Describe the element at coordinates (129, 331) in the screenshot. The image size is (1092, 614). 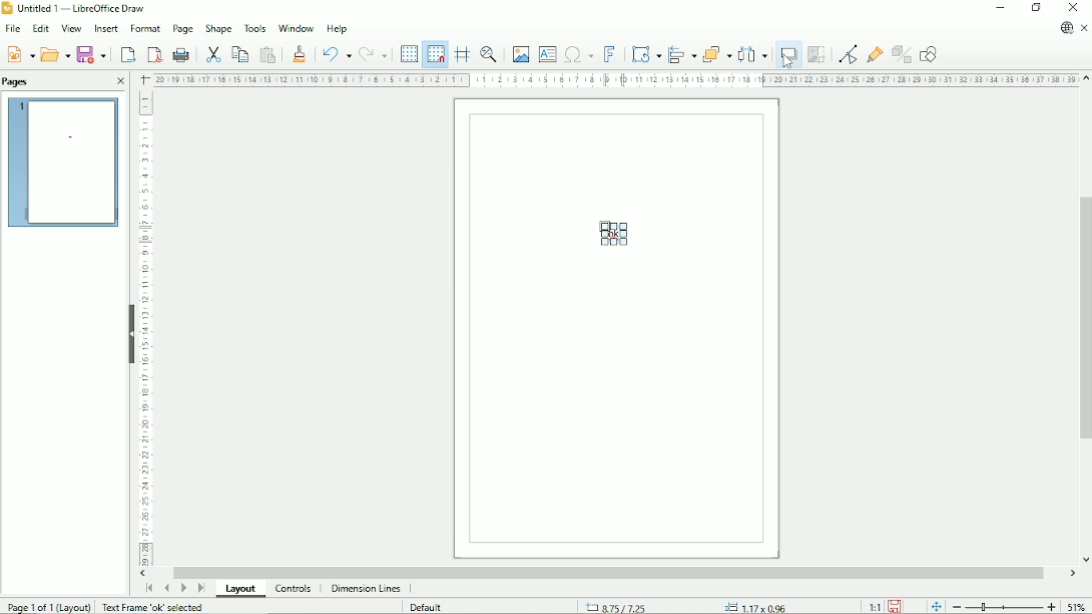
I see `Hide` at that location.